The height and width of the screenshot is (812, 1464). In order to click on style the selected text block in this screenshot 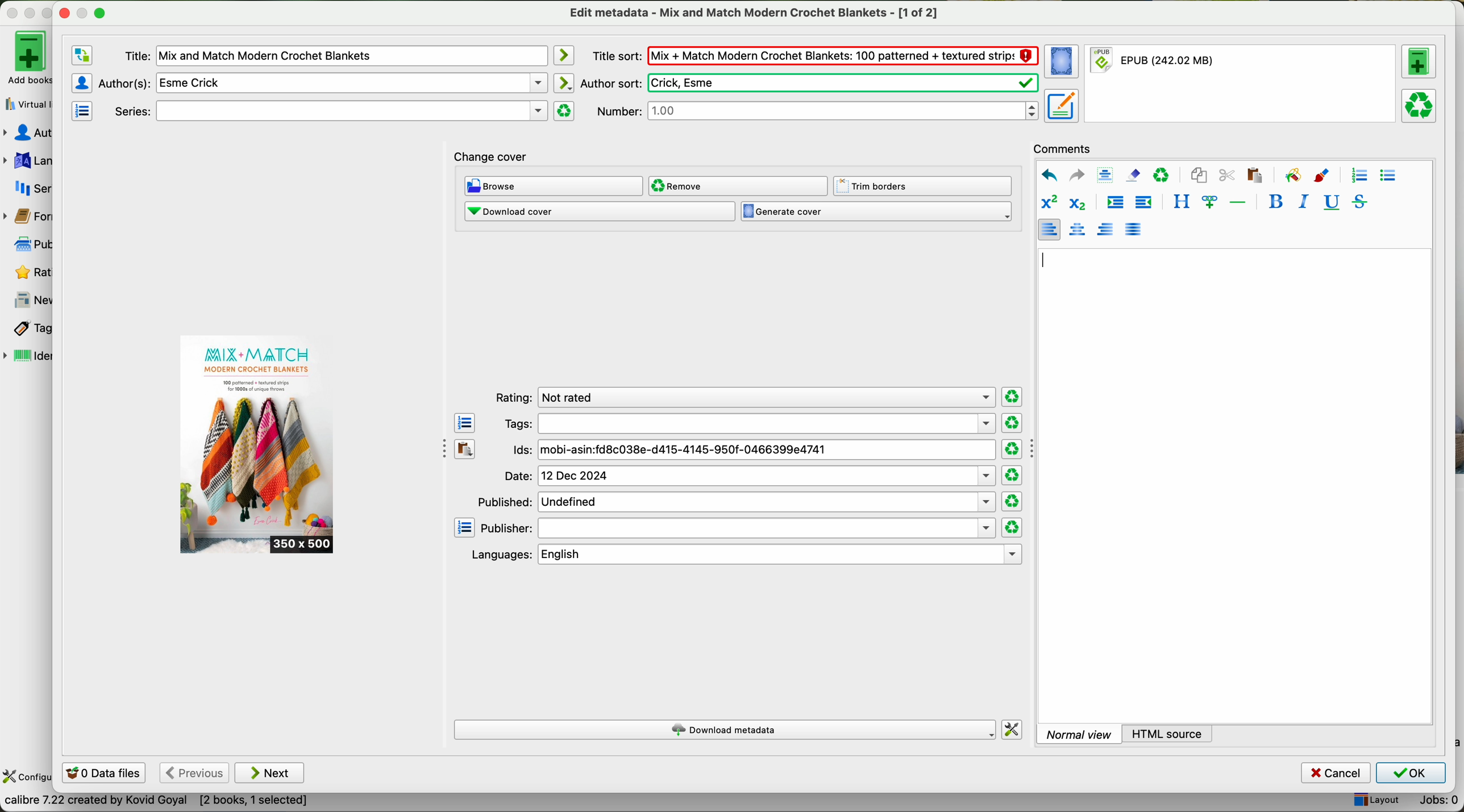, I will do `click(1180, 202)`.